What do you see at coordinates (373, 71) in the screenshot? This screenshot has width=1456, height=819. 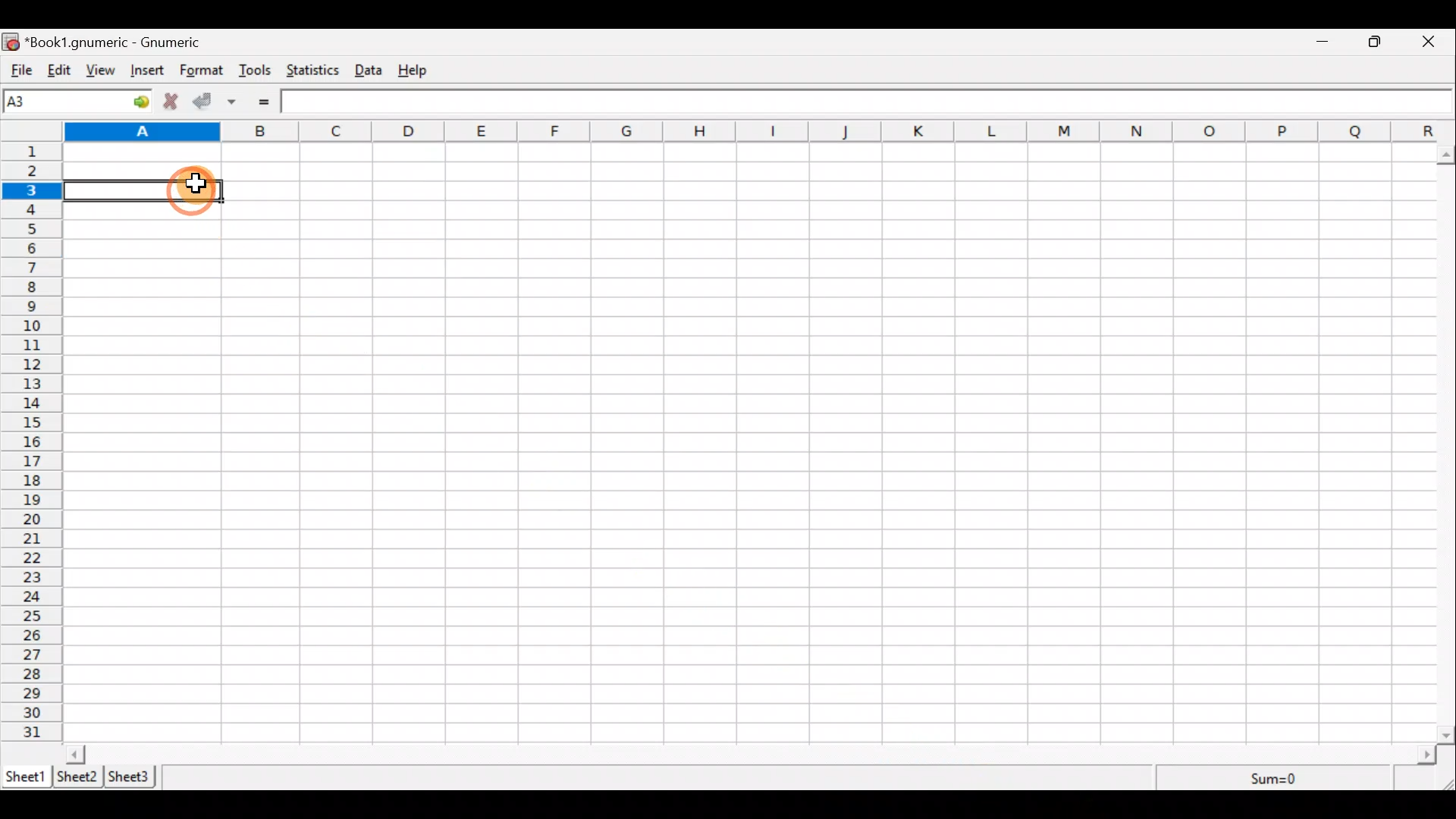 I see `Data` at bounding box center [373, 71].